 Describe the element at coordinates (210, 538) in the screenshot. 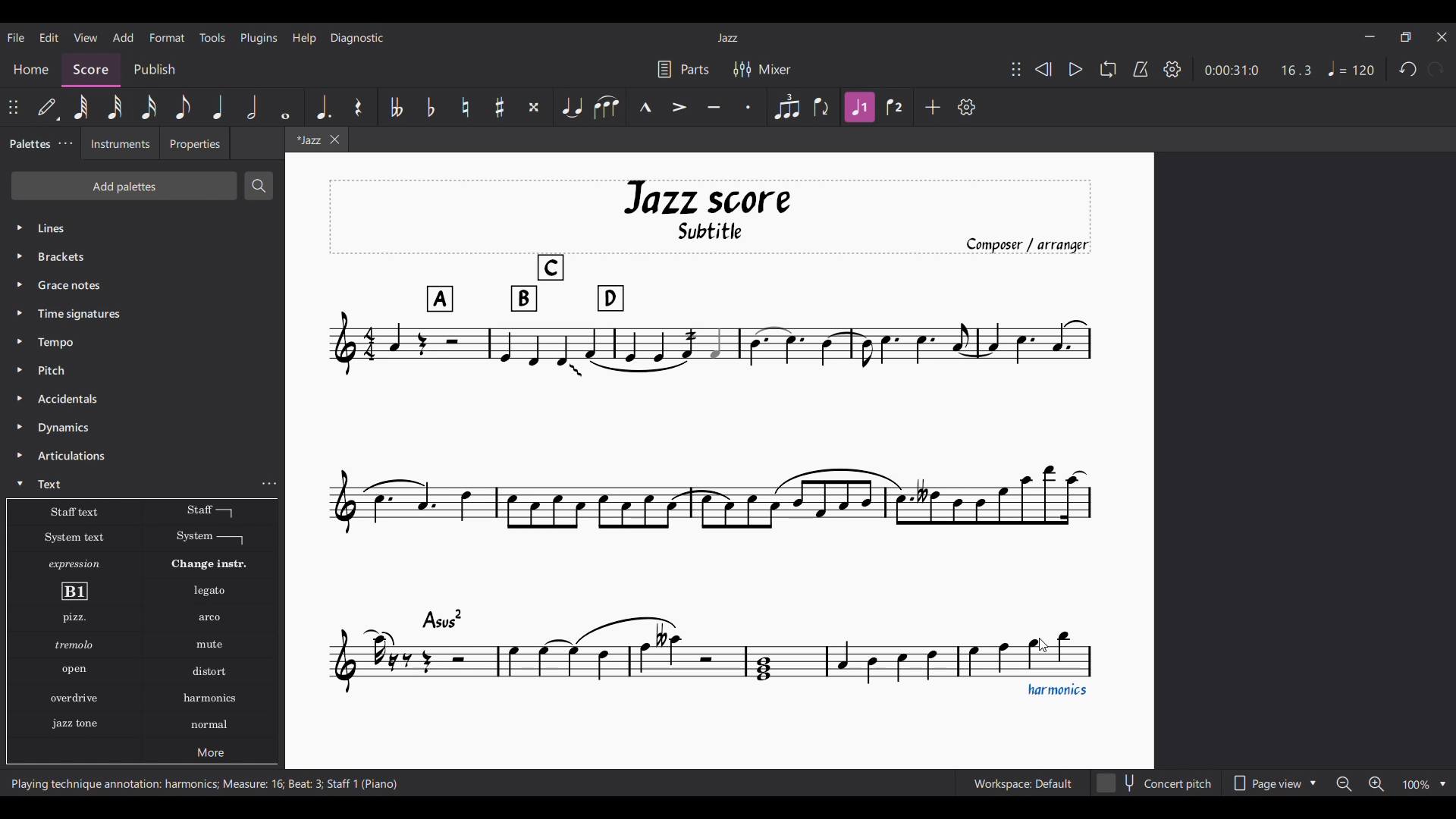

I see `System` at that location.